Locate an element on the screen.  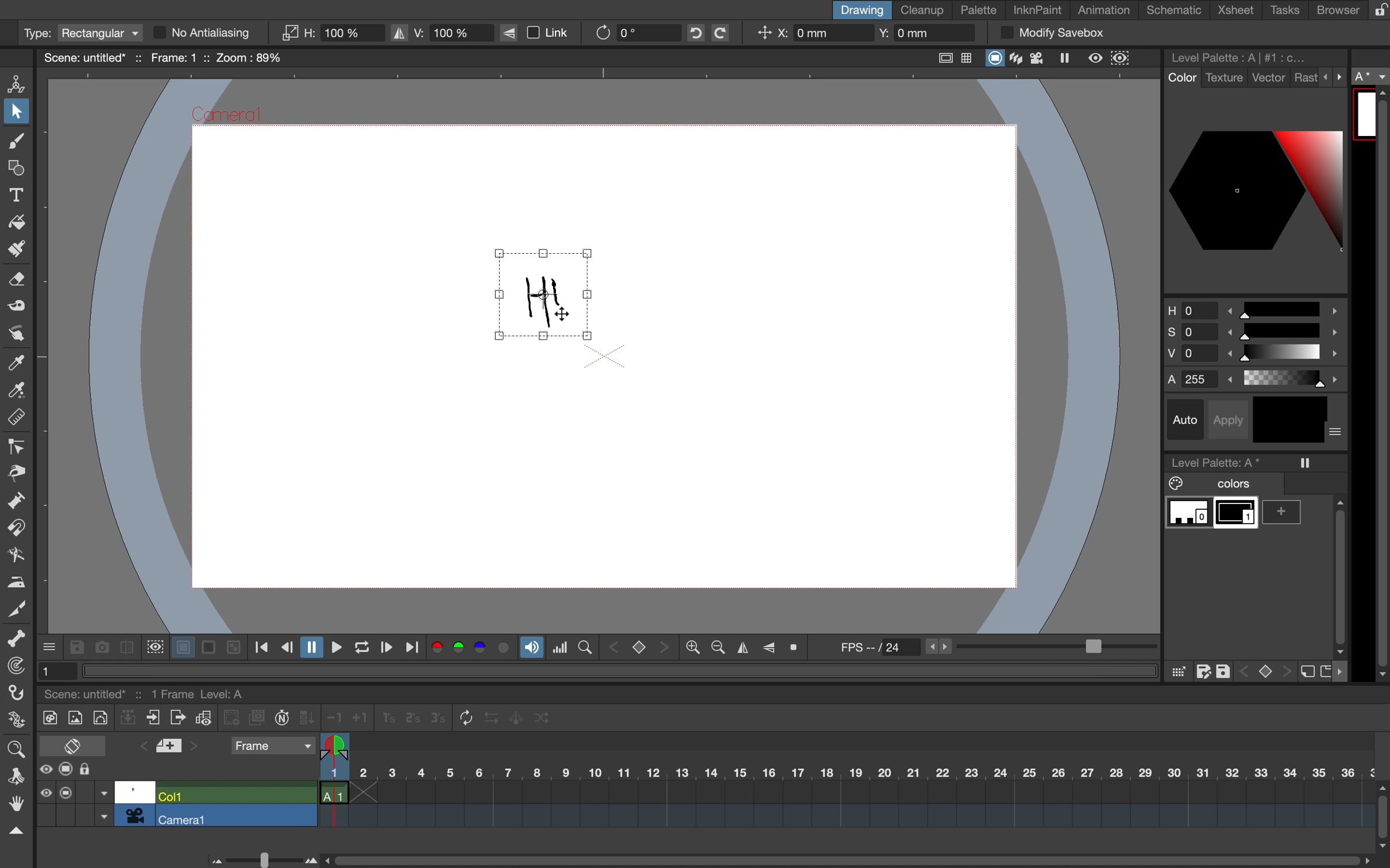
play is located at coordinates (333, 647).